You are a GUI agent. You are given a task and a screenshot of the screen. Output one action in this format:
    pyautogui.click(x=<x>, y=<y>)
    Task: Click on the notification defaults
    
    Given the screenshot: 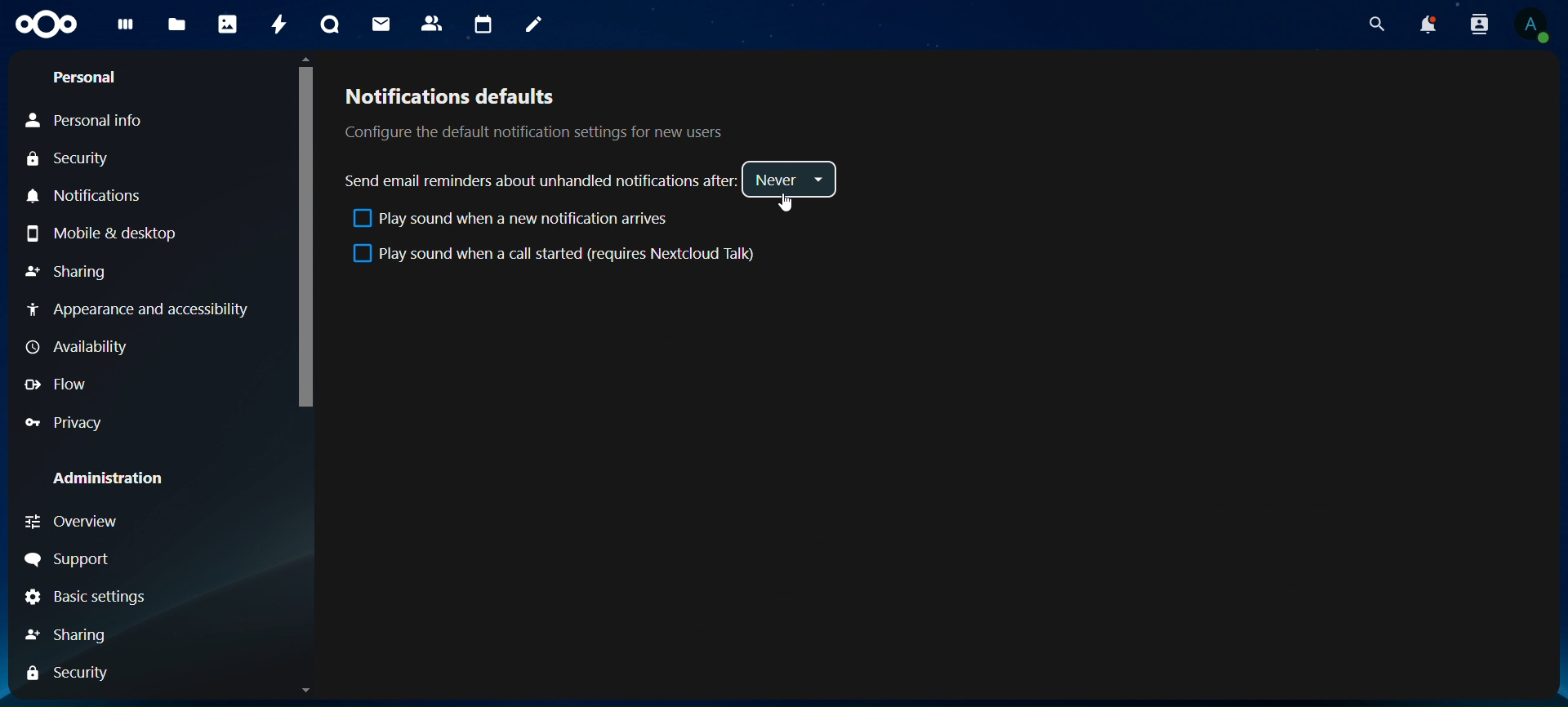 What is the action you would take?
    pyautogui.click(x=531, y=112)
    